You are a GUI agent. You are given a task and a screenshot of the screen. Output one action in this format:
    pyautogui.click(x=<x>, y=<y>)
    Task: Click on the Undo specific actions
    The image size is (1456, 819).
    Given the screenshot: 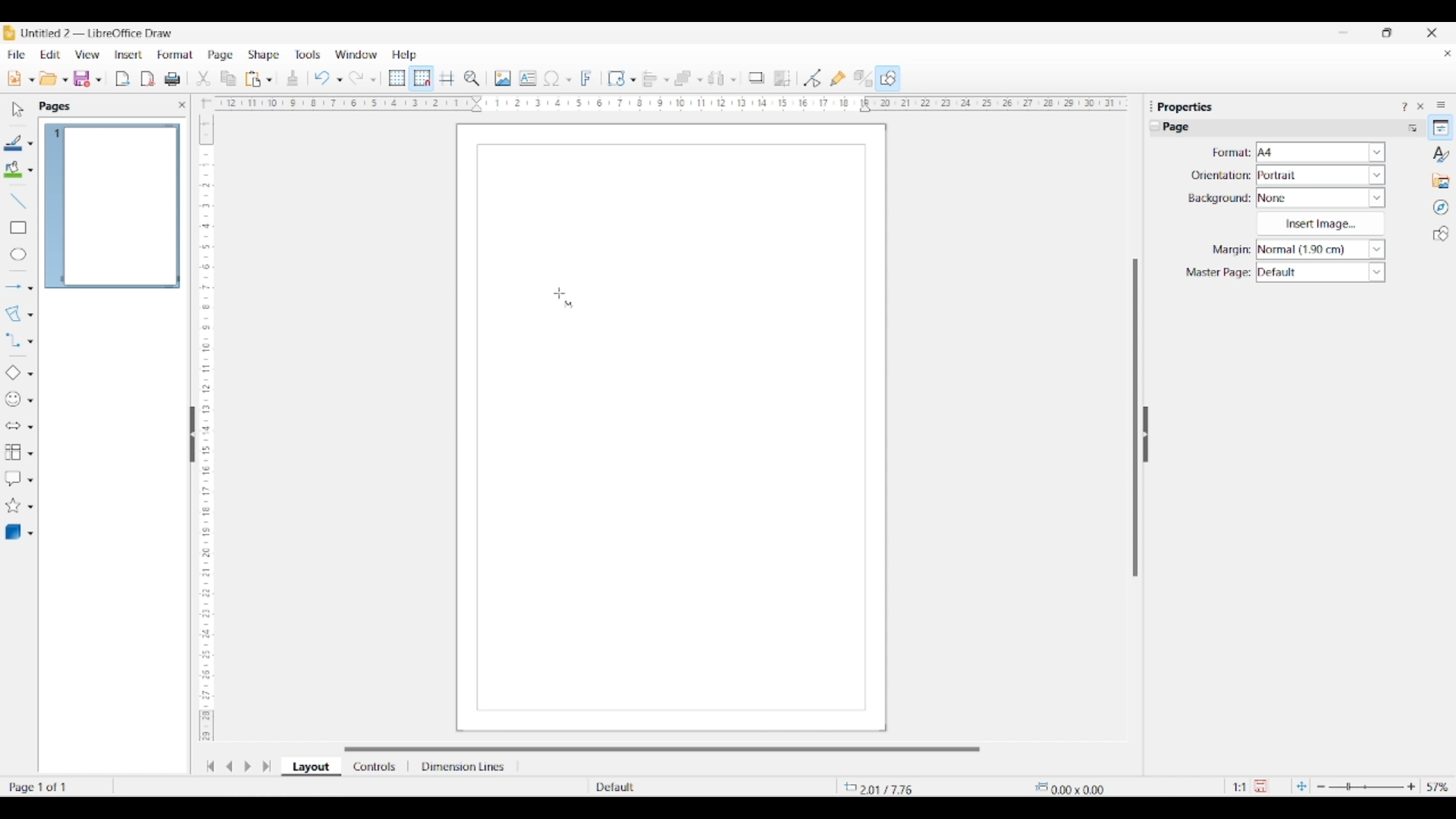 What is the action you would take?
    pyautogui.click(x=339, y=80)
    